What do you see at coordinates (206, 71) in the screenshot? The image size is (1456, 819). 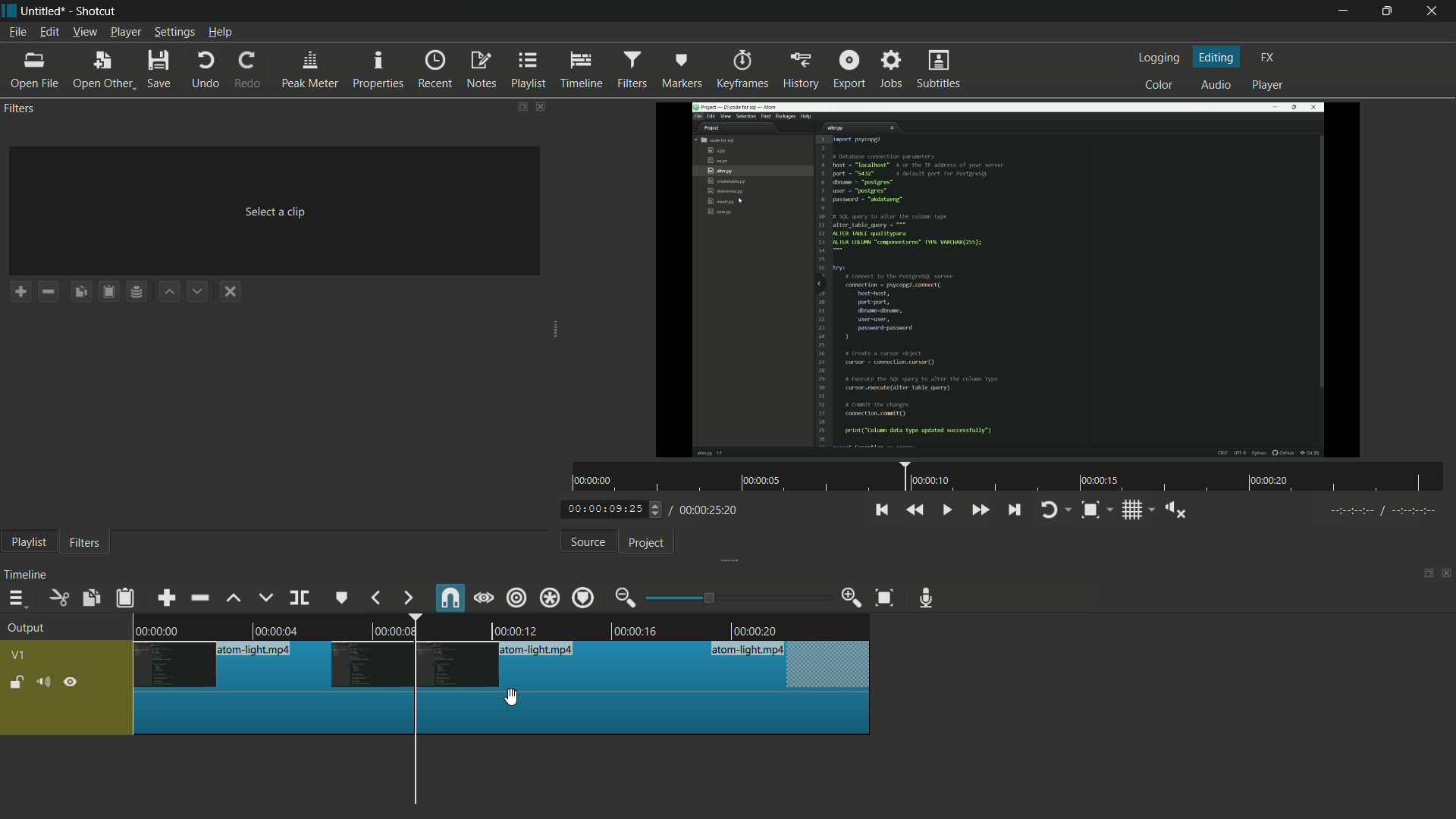 I see `undo` at bounding box center [206, 71].